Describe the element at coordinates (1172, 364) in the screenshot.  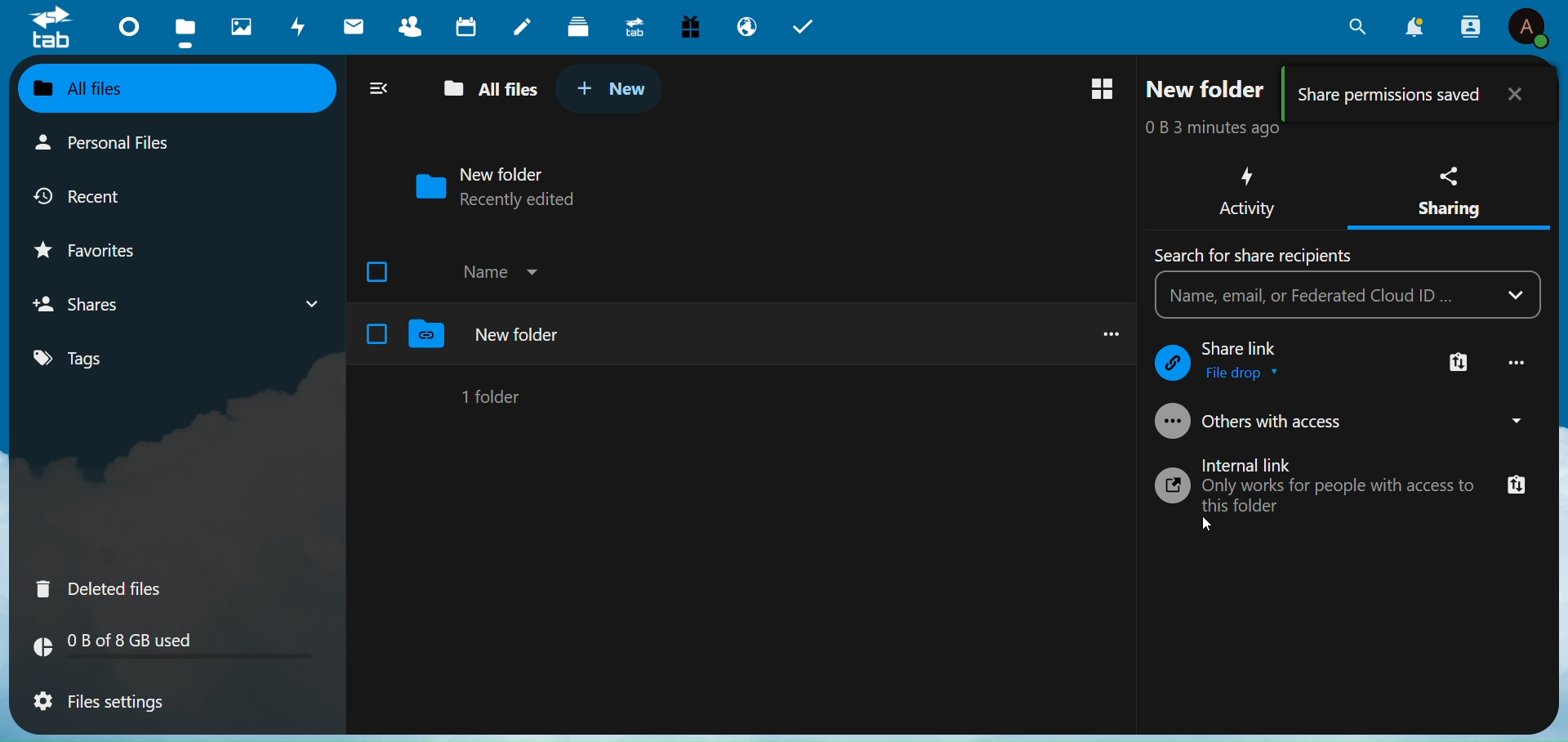
I see `Icon` at that location.